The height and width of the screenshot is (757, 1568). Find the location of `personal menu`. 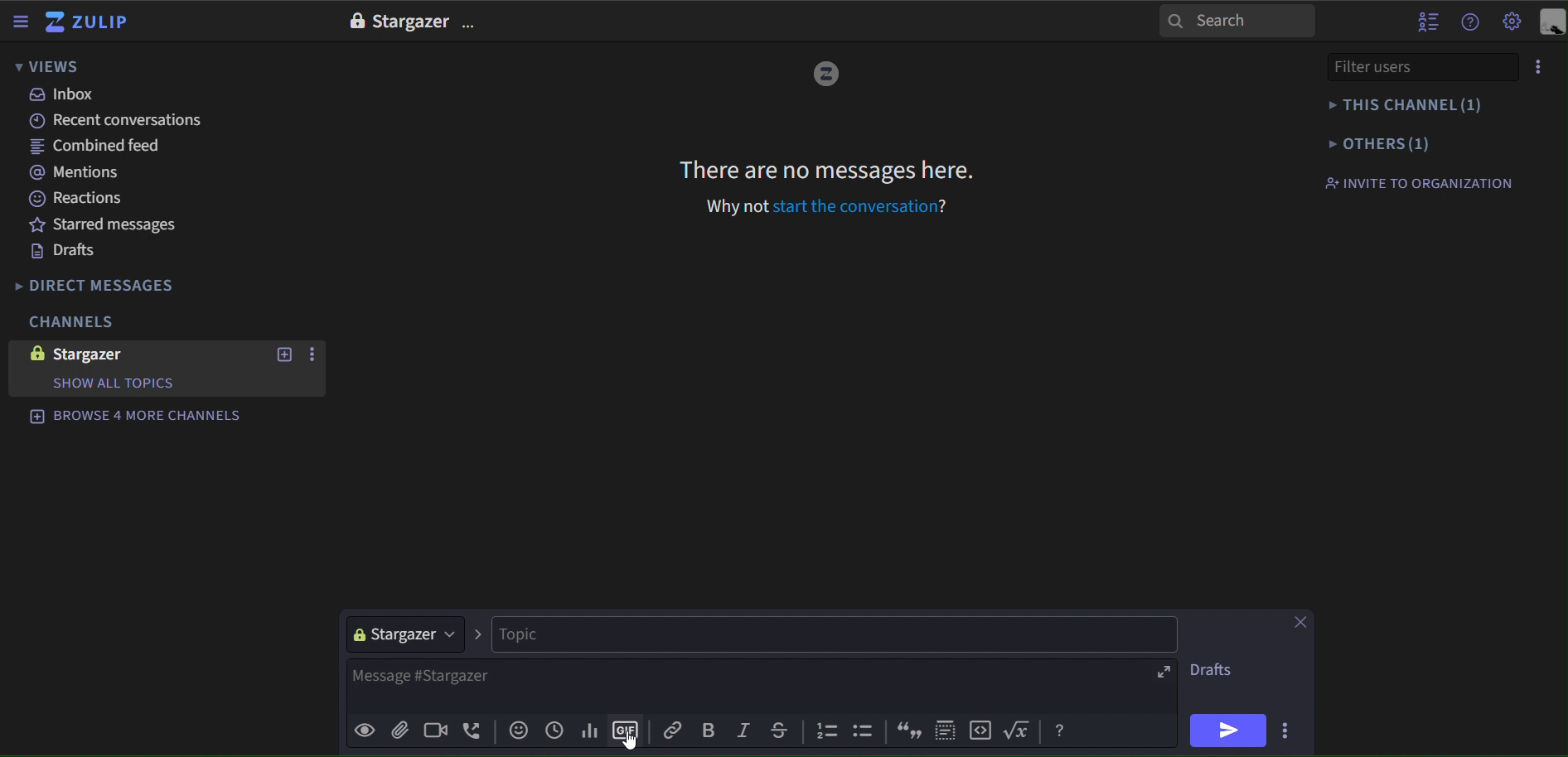

personal menu is located at coordinates (1551, 23).